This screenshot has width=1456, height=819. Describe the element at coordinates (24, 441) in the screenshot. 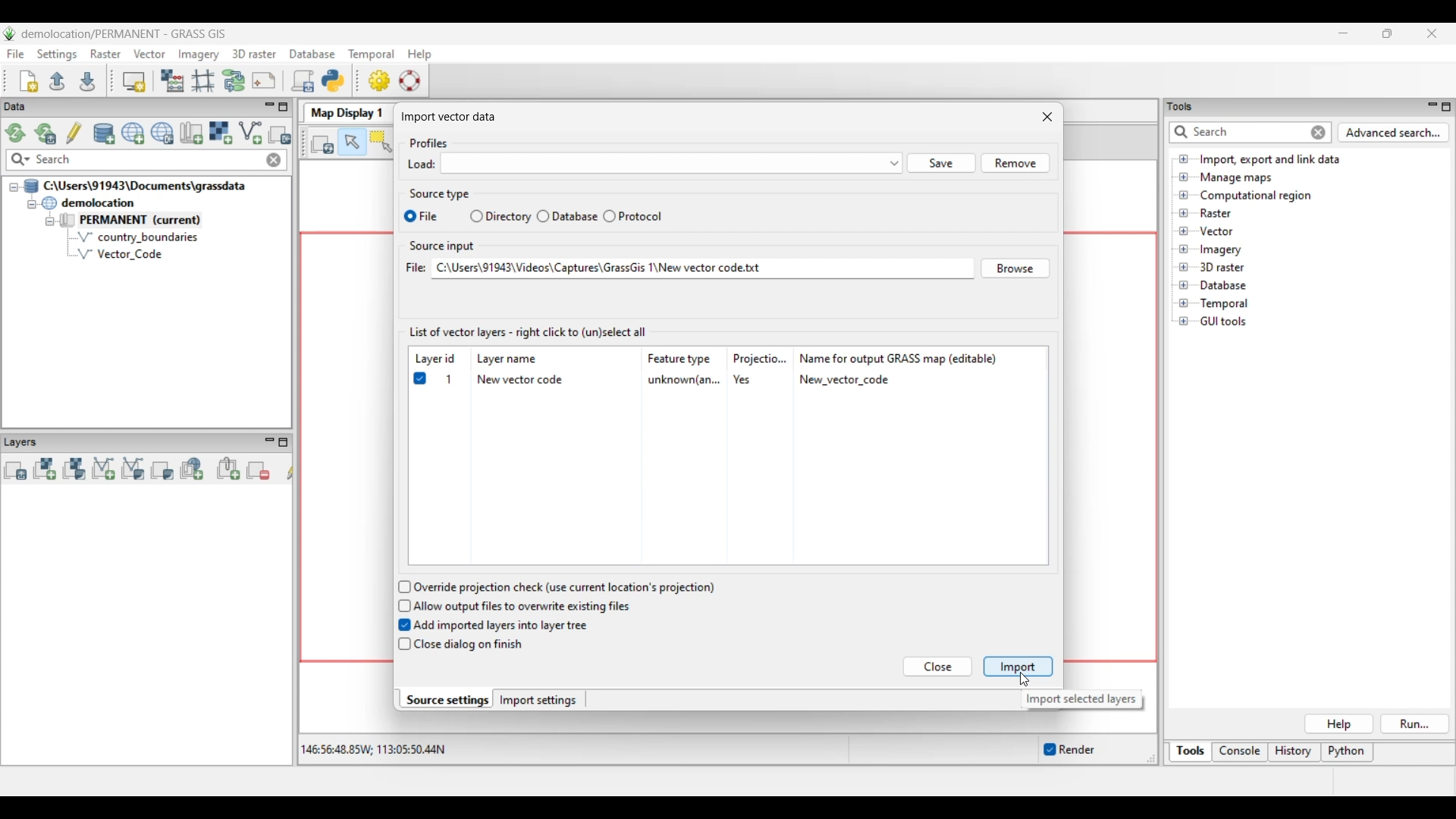

I see `Layers` at that location.